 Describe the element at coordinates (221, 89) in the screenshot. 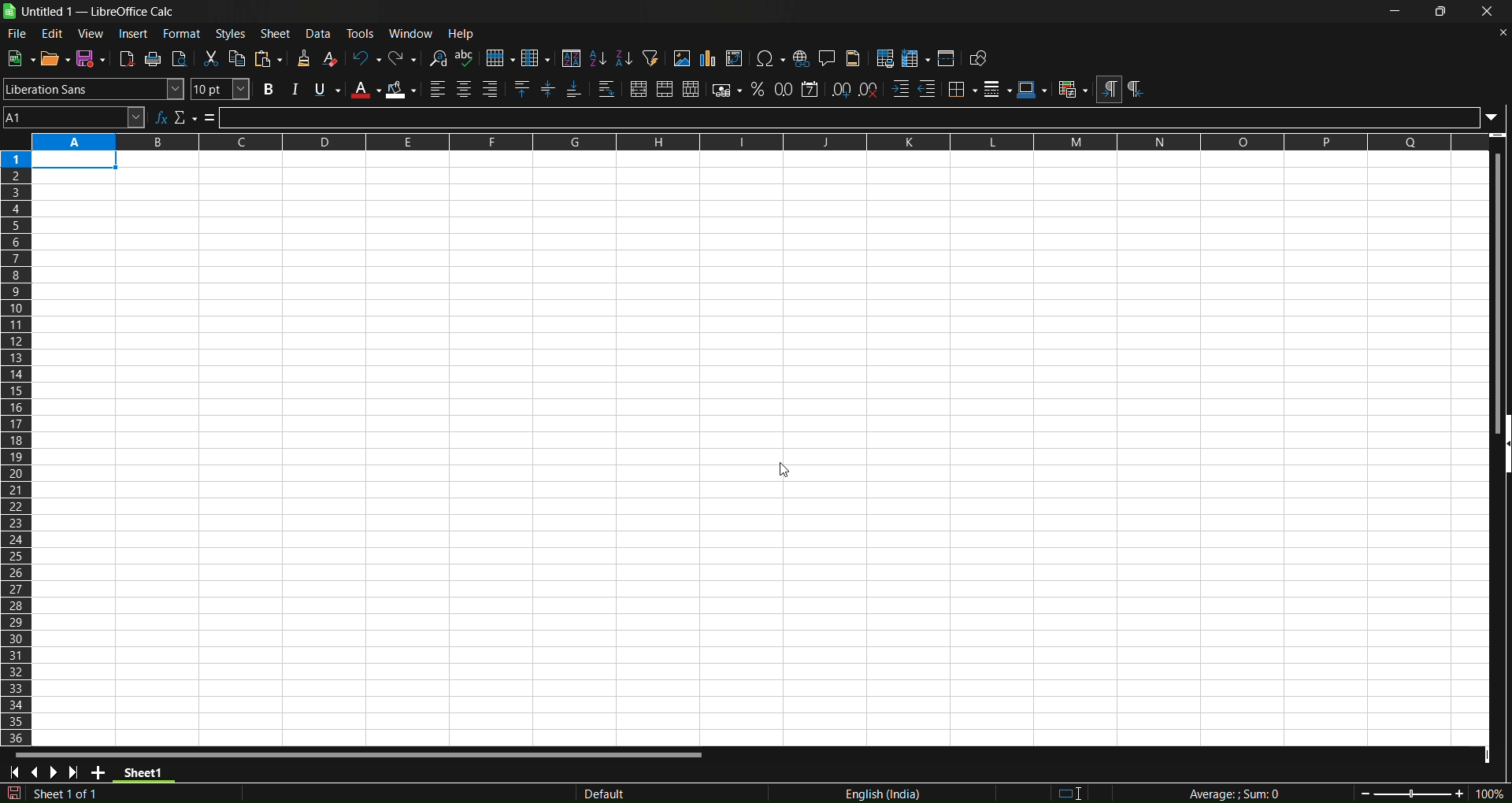

I see `font size` at that location.